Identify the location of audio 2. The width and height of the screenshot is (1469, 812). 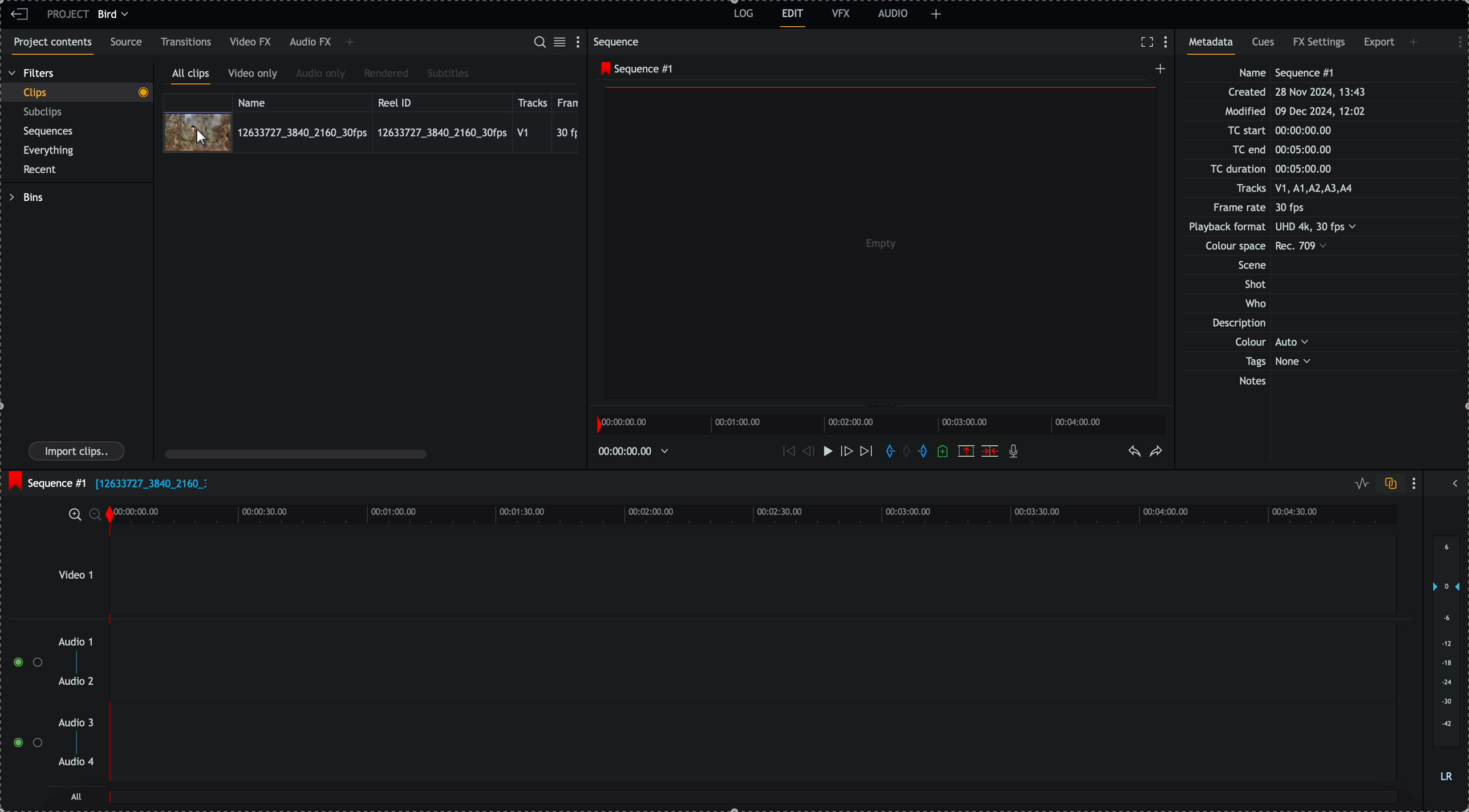
(74, 682).